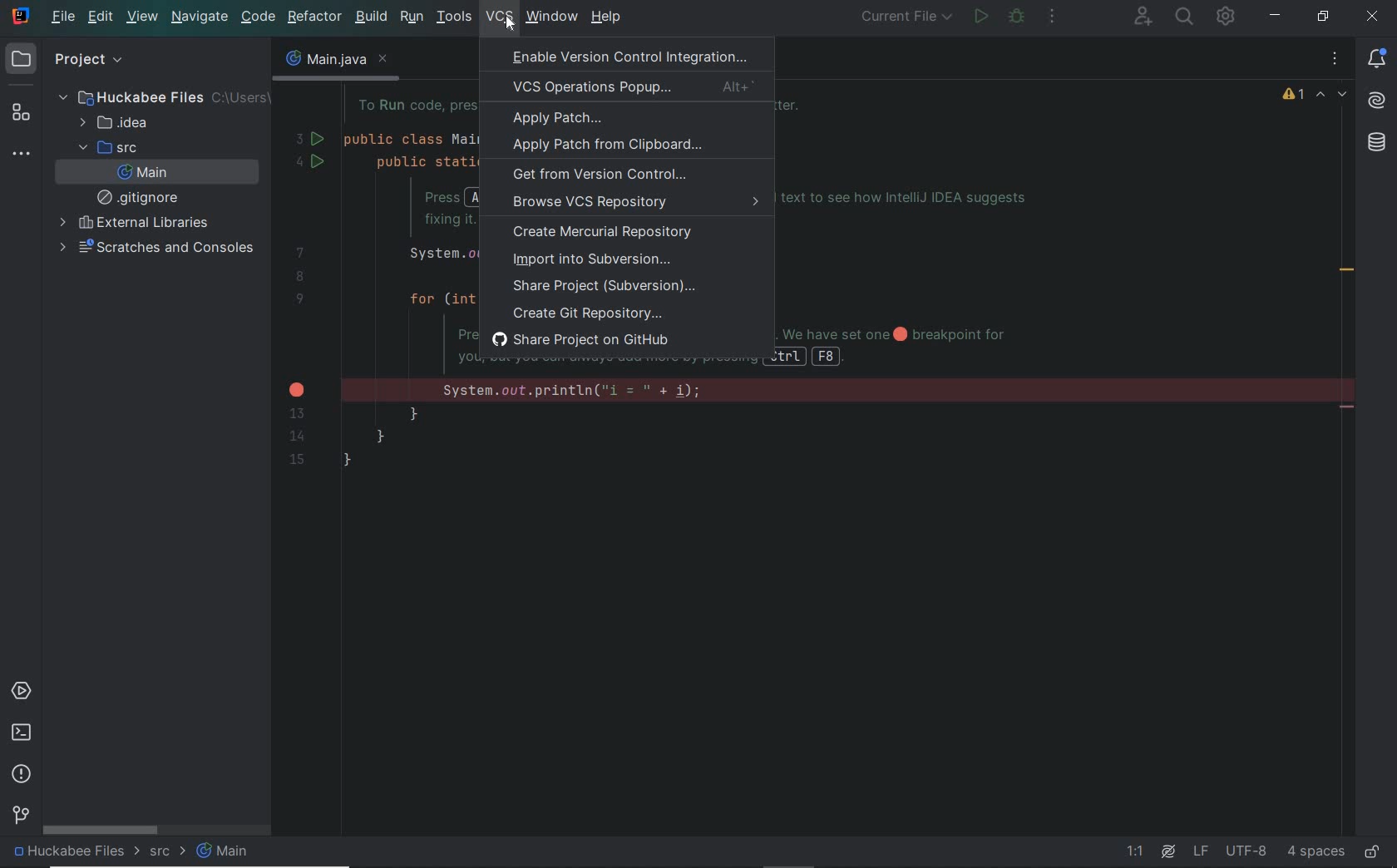 This screenshot has width=1397, height=868. Describe the element at coordinates (612, 287) in the screenshot. I see `share project (subversion)` at that location.